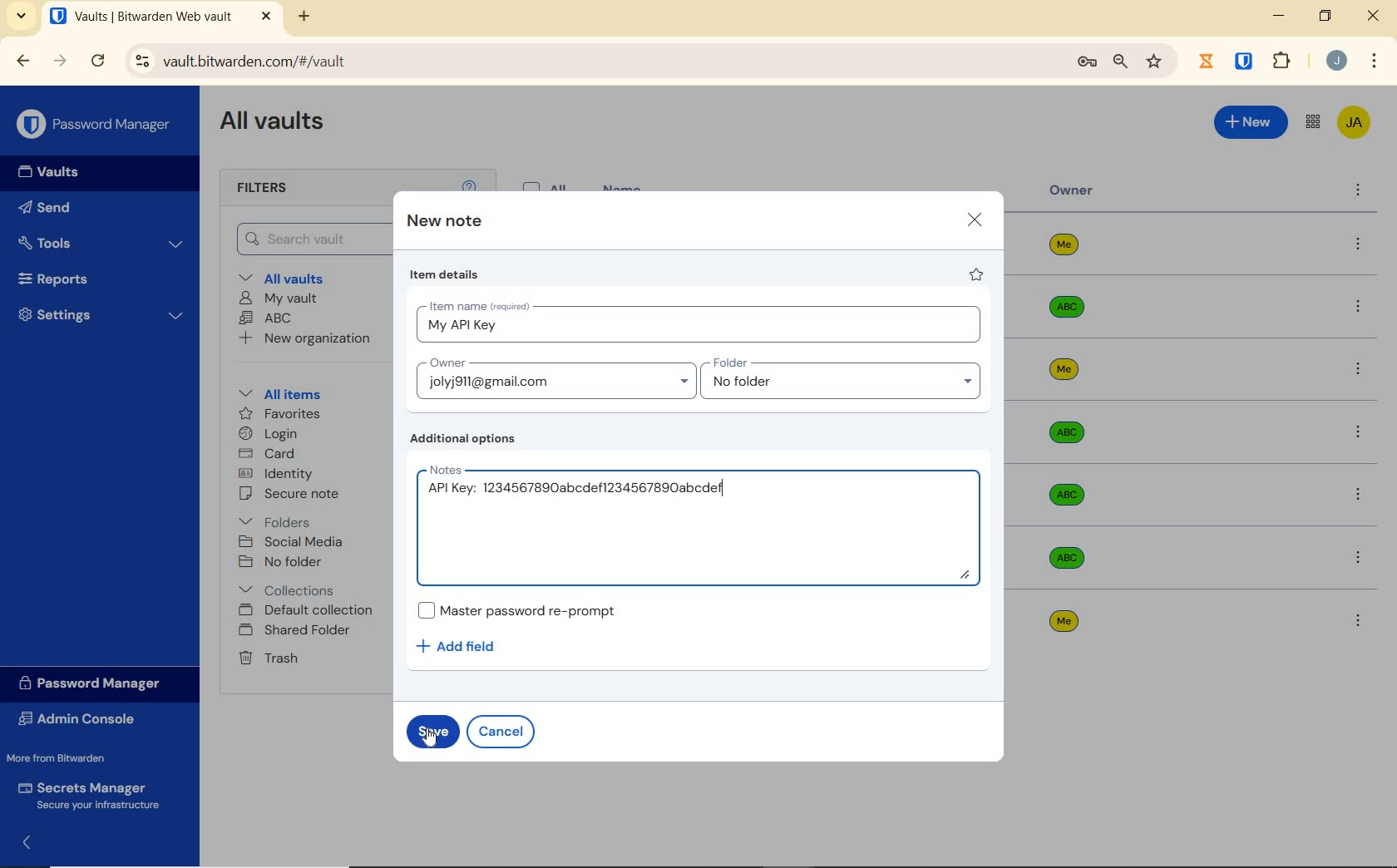 The image size is (1397, 868). Describe the element at coordinates (61, 62) in the screenshot. I see `FORWARD` at that location.